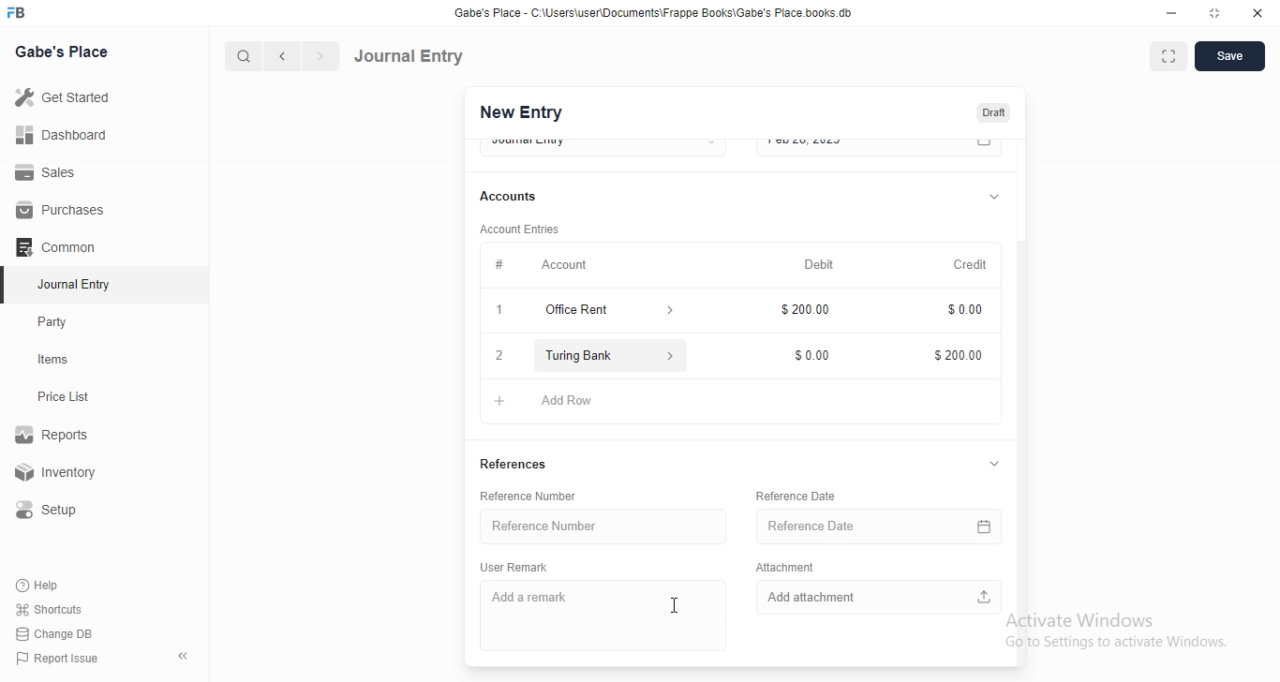 This screenshot has width=1280, height=682. I want to click on minimize, so click(1170, 12).